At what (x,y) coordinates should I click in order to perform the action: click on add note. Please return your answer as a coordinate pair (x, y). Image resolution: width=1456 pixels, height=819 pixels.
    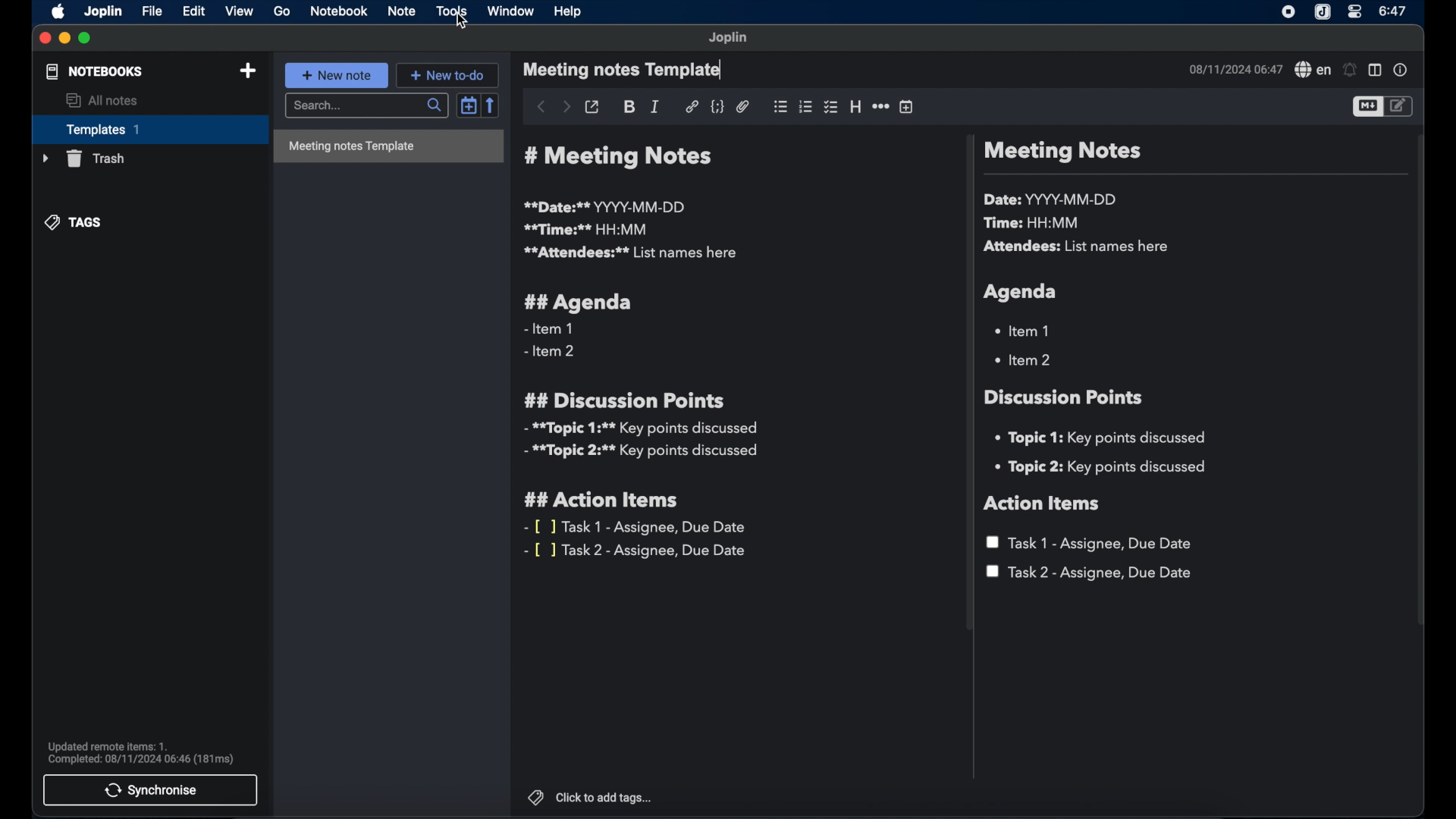
    Looking at the image, I should click on (248, 71).